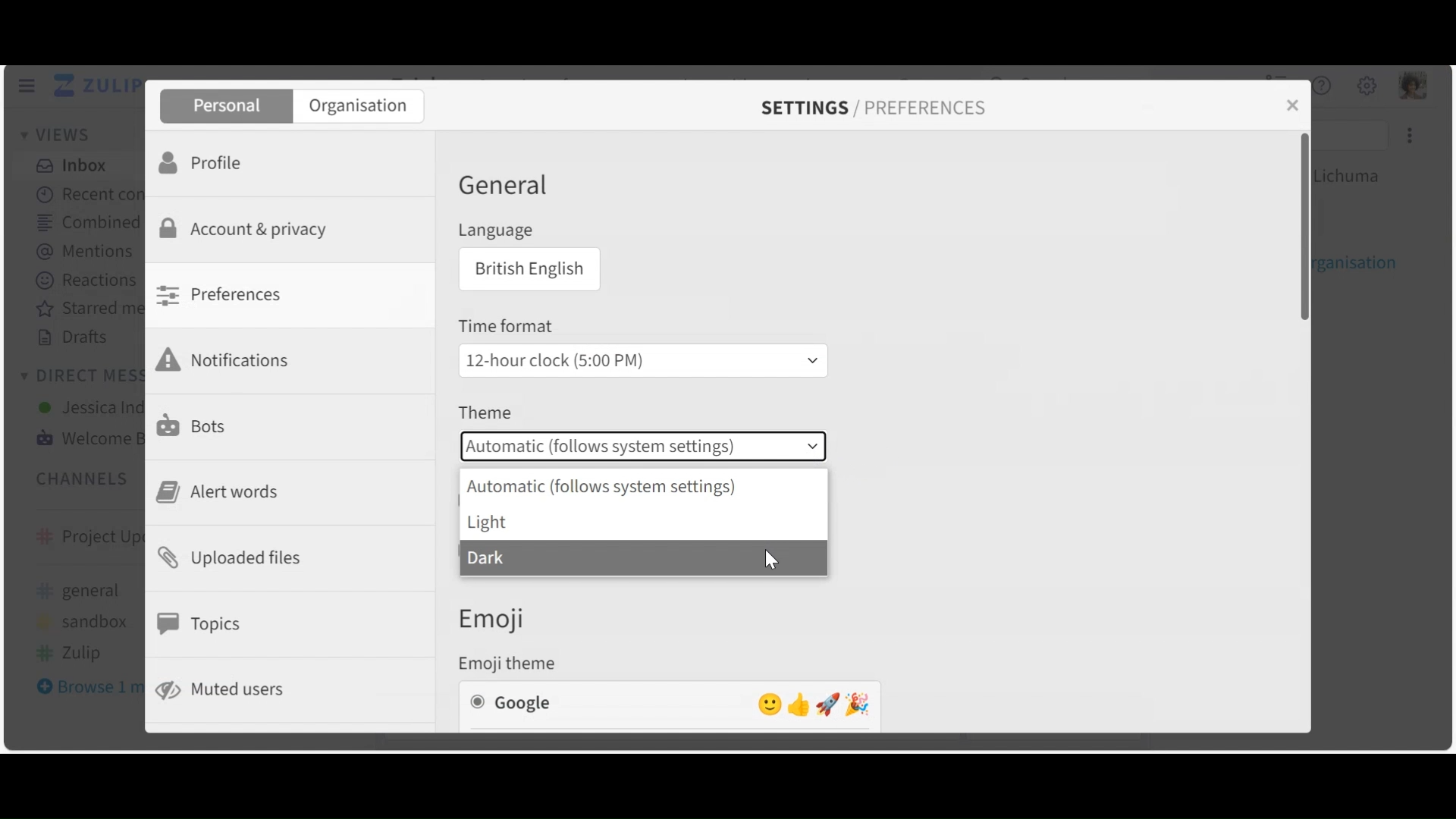 The width and height of the screenshot is (1456, 819). Describe the element at coordinates (641, 359) in the screenshot. I see `Time Format Dropdown menu` at that location.